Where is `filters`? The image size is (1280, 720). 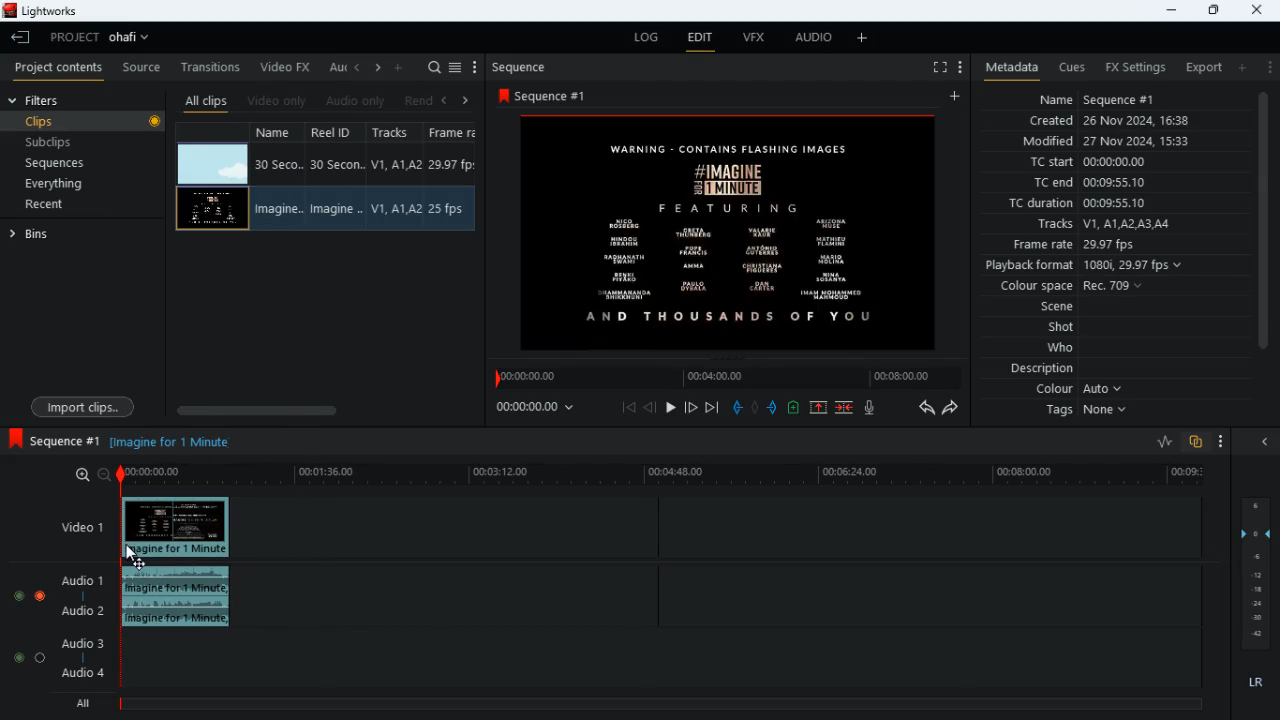 filters is located at coordinates (46, 101).